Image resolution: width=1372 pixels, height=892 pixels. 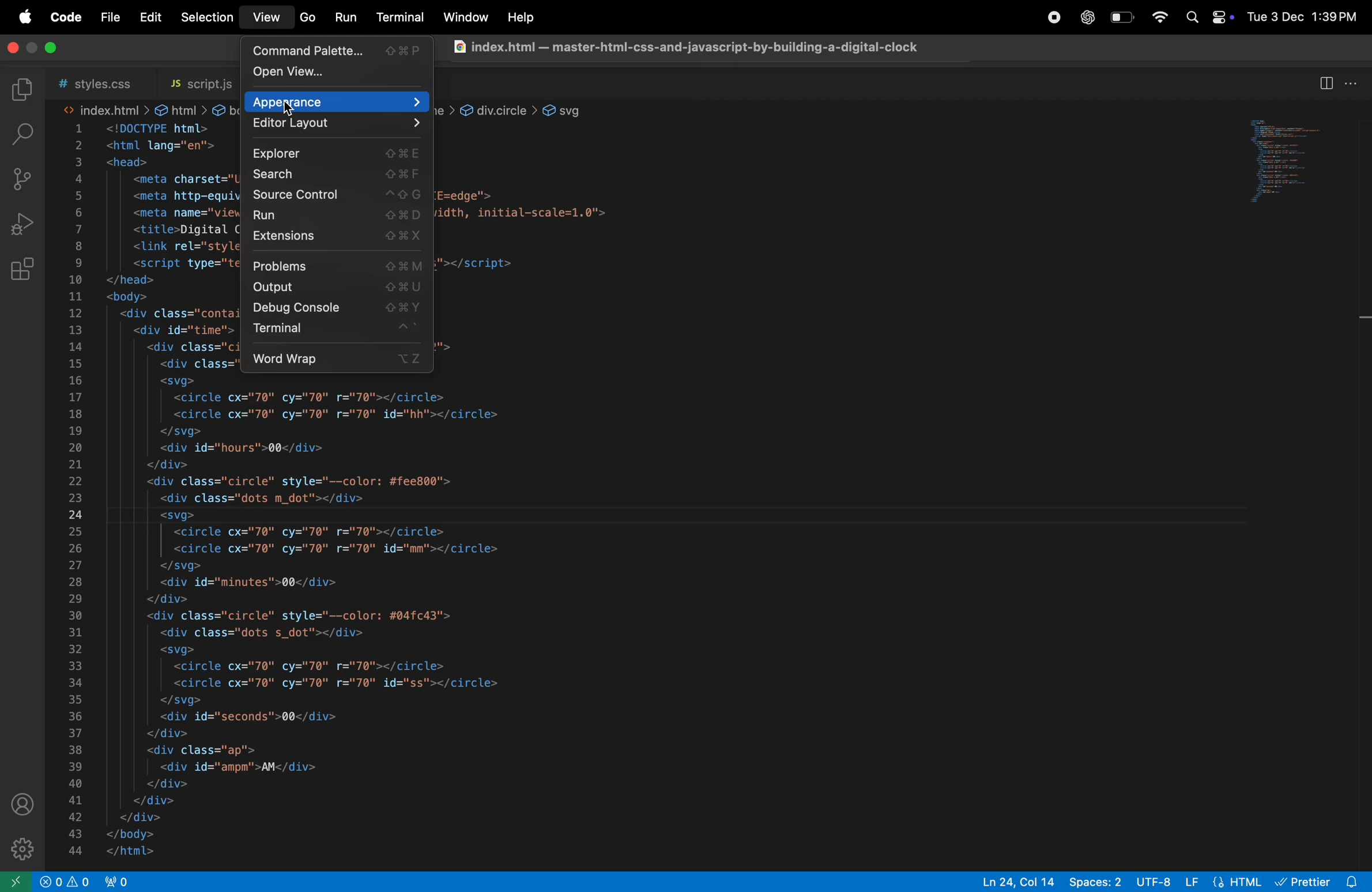 What do you see at coordinates (331, 175) in the screenshot?
I see `search` at bounding box center [331, 175].